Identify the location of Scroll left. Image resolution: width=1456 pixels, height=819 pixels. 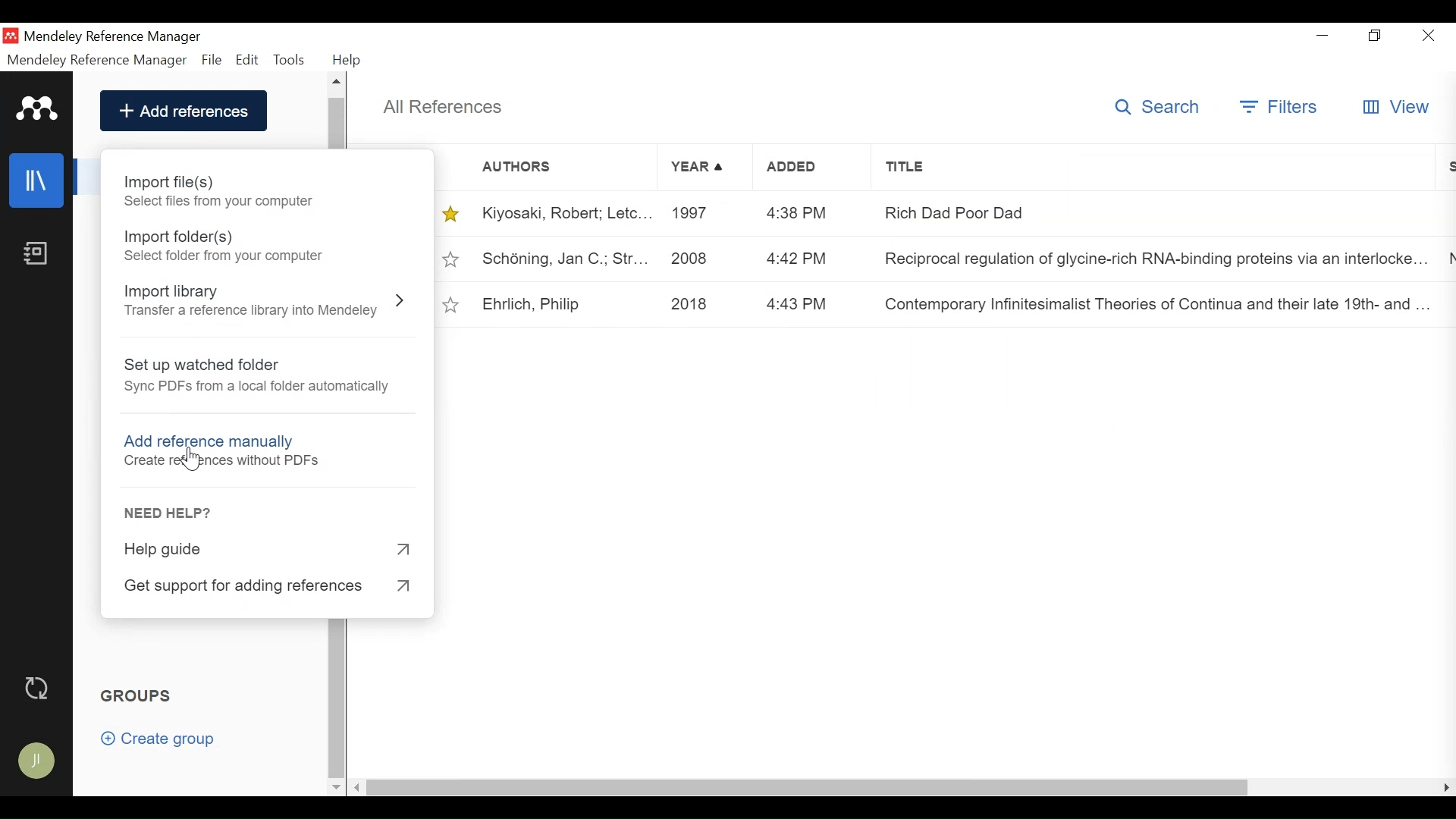
(358, 788).